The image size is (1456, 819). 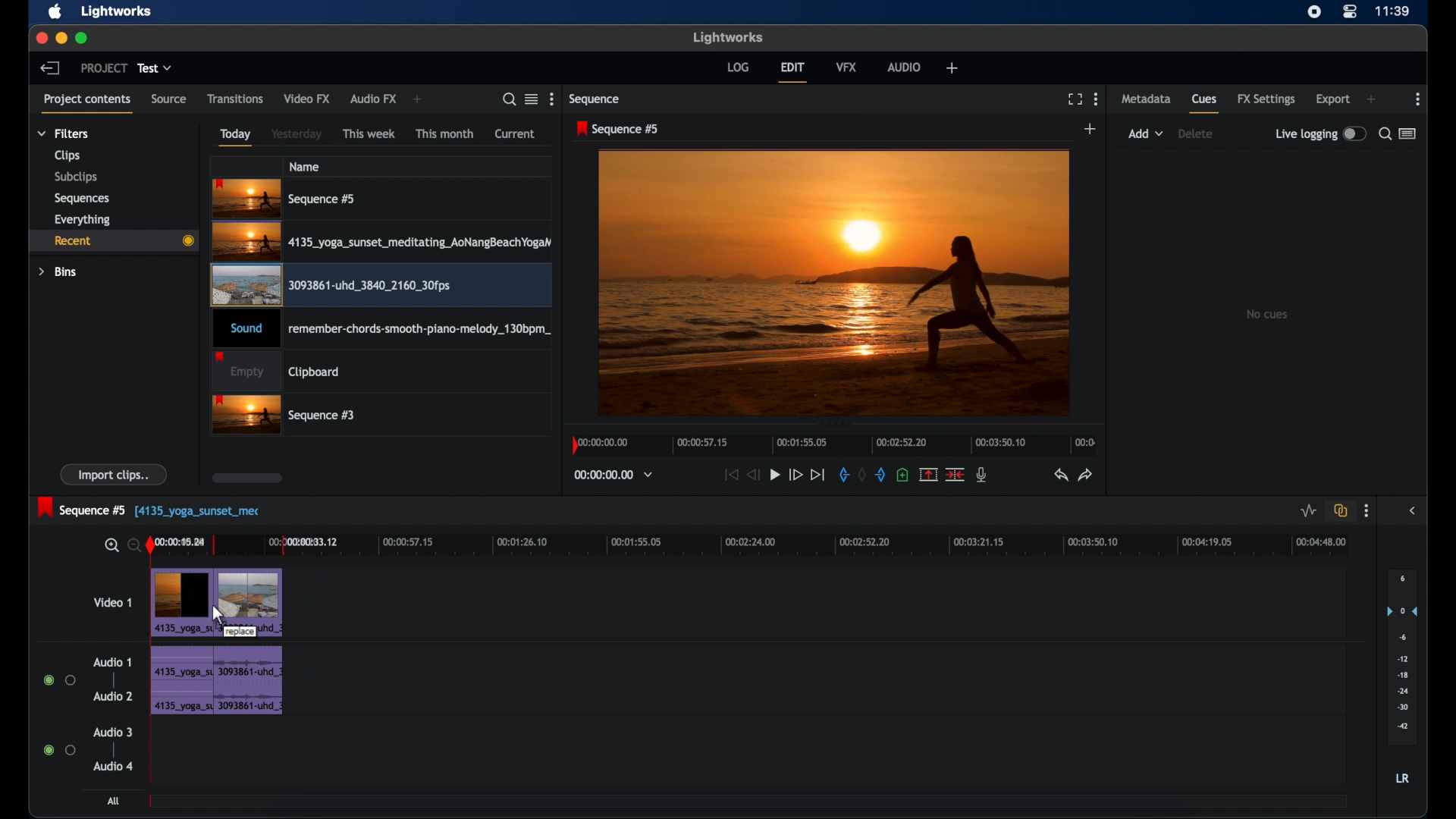 I want to click on set audio output levels, so click(x=1401, y=657).